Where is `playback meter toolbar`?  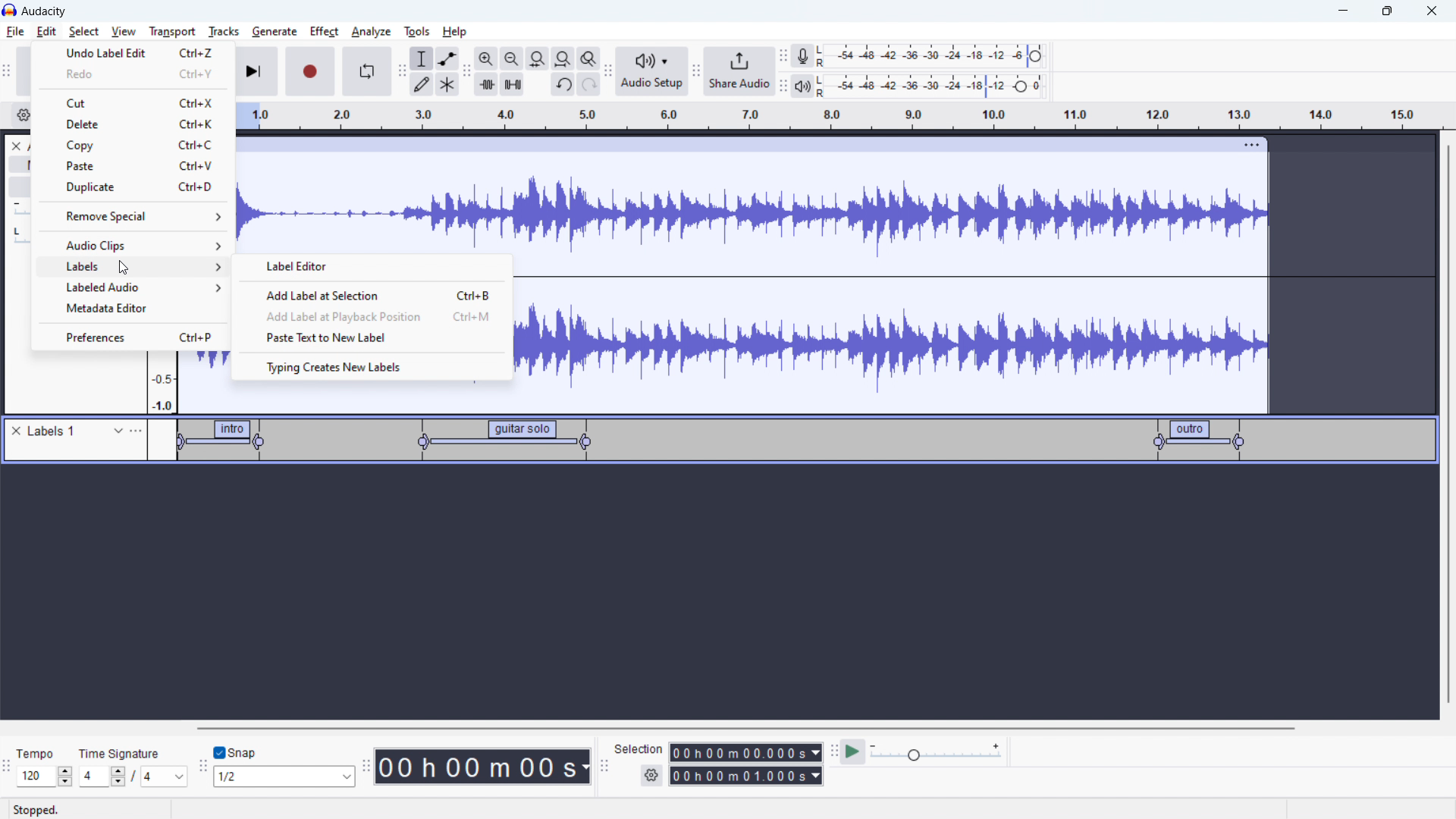
playback meter toolbar is located at coordinates (783, 86).